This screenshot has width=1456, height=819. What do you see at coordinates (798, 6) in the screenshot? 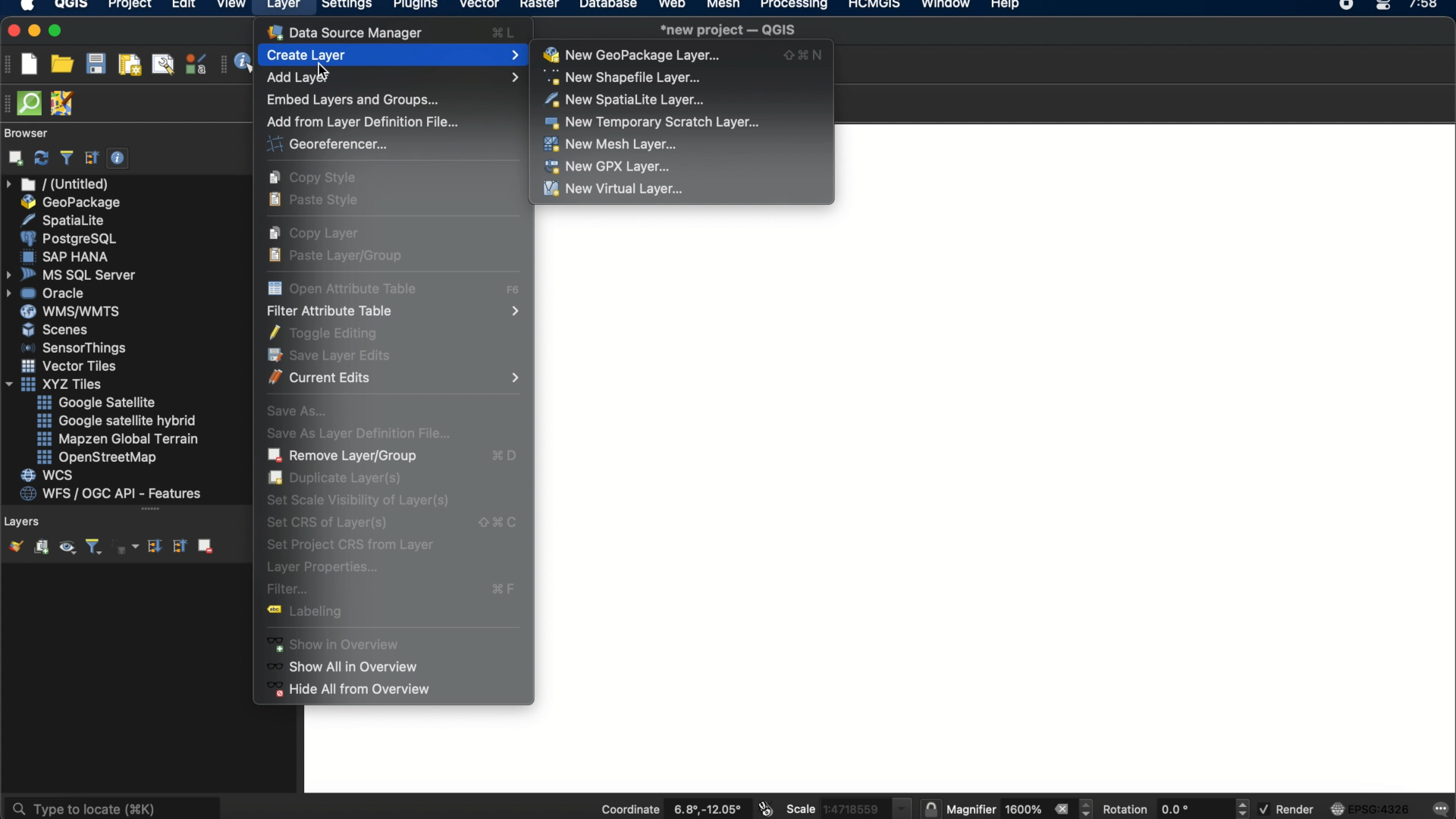
I see `processing` at bounding box center [798, 6].